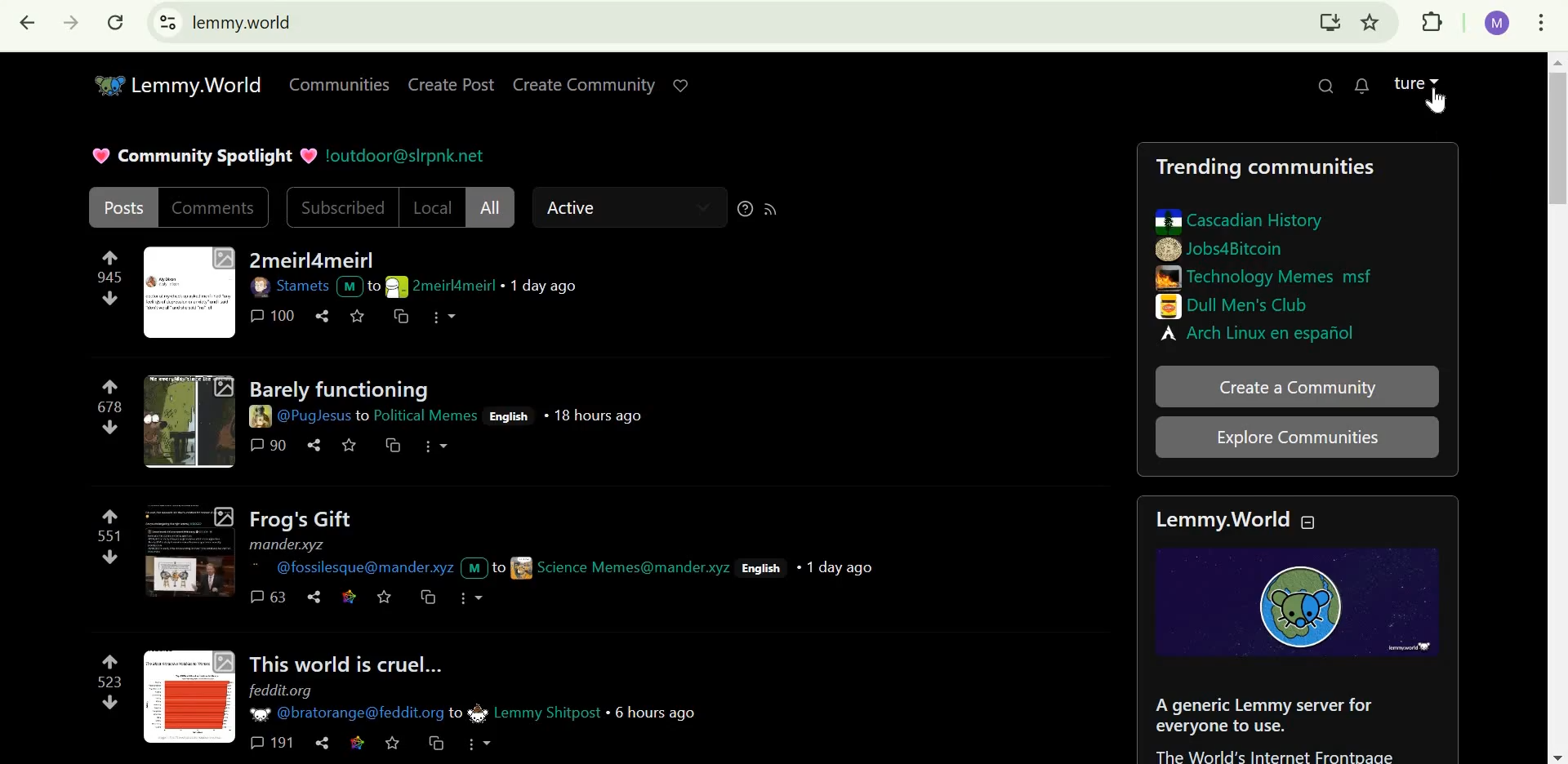  Describe the element at coordinates (1221, 249) in the screenshot. I see `jobs4bitcoin` at that location.